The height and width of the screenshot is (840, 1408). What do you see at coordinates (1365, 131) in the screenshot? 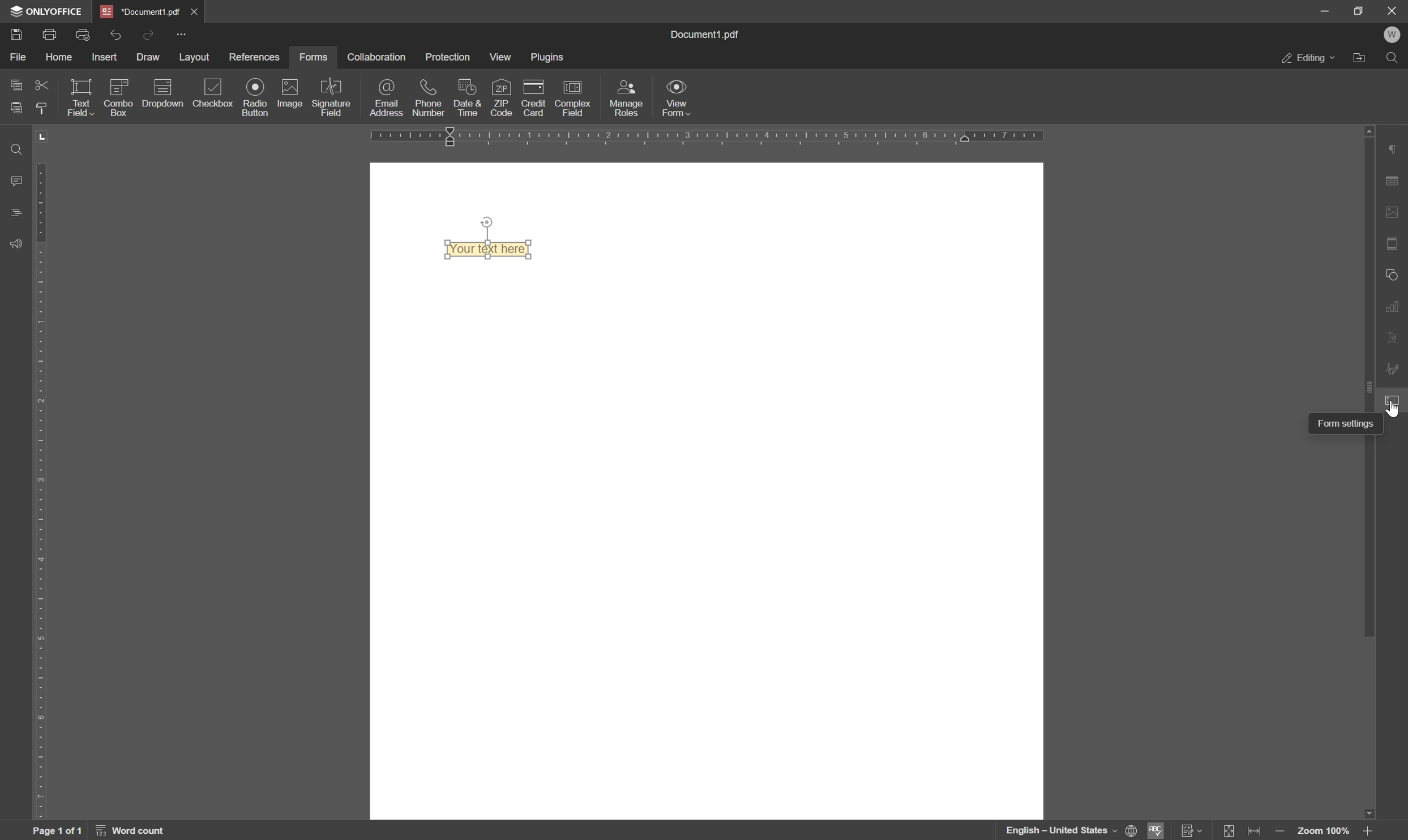
I see `scroll up` at bounding box center [1365, 131].